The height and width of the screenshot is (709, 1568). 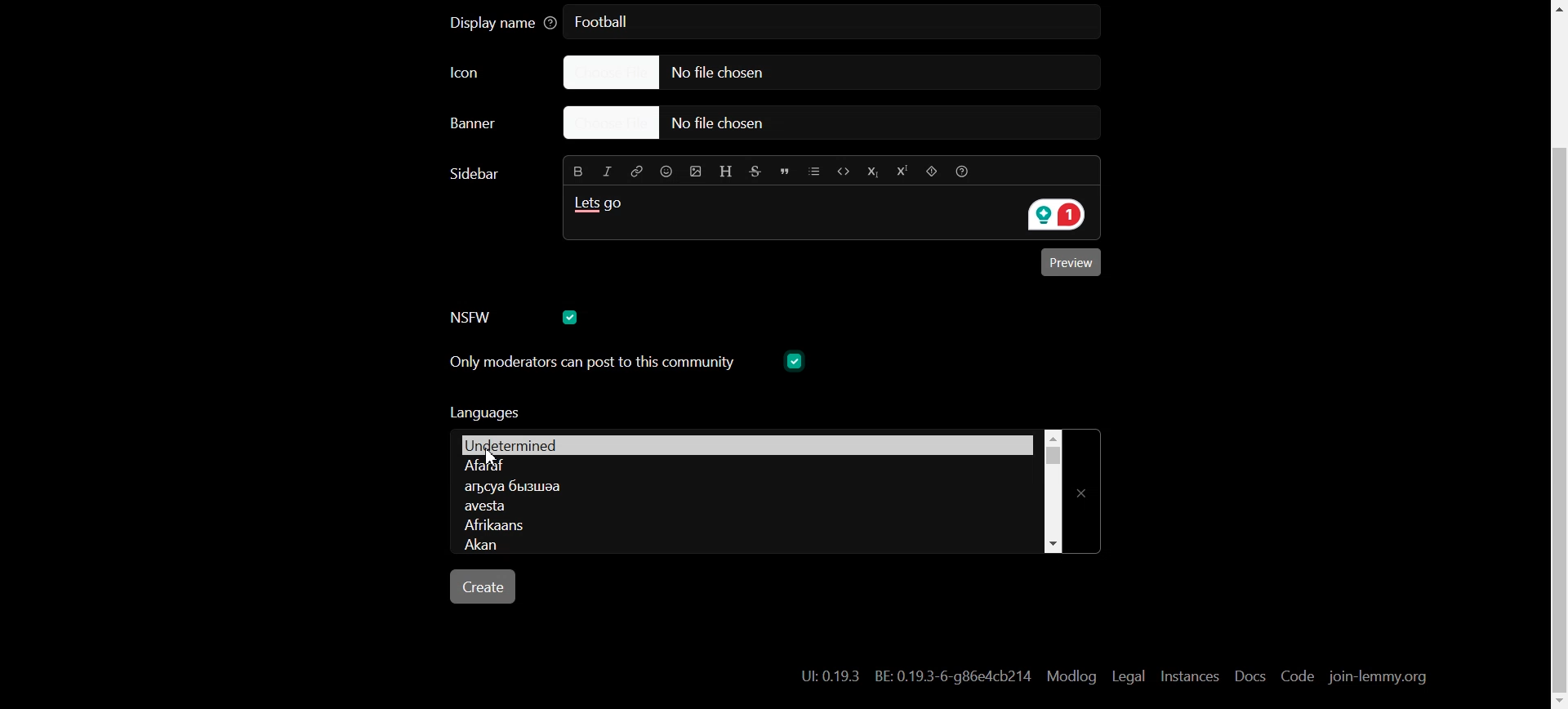 What do you see at coordinates (835, 124) in the screenshot?
I see `Choose file` at bounding box center [835, 124].